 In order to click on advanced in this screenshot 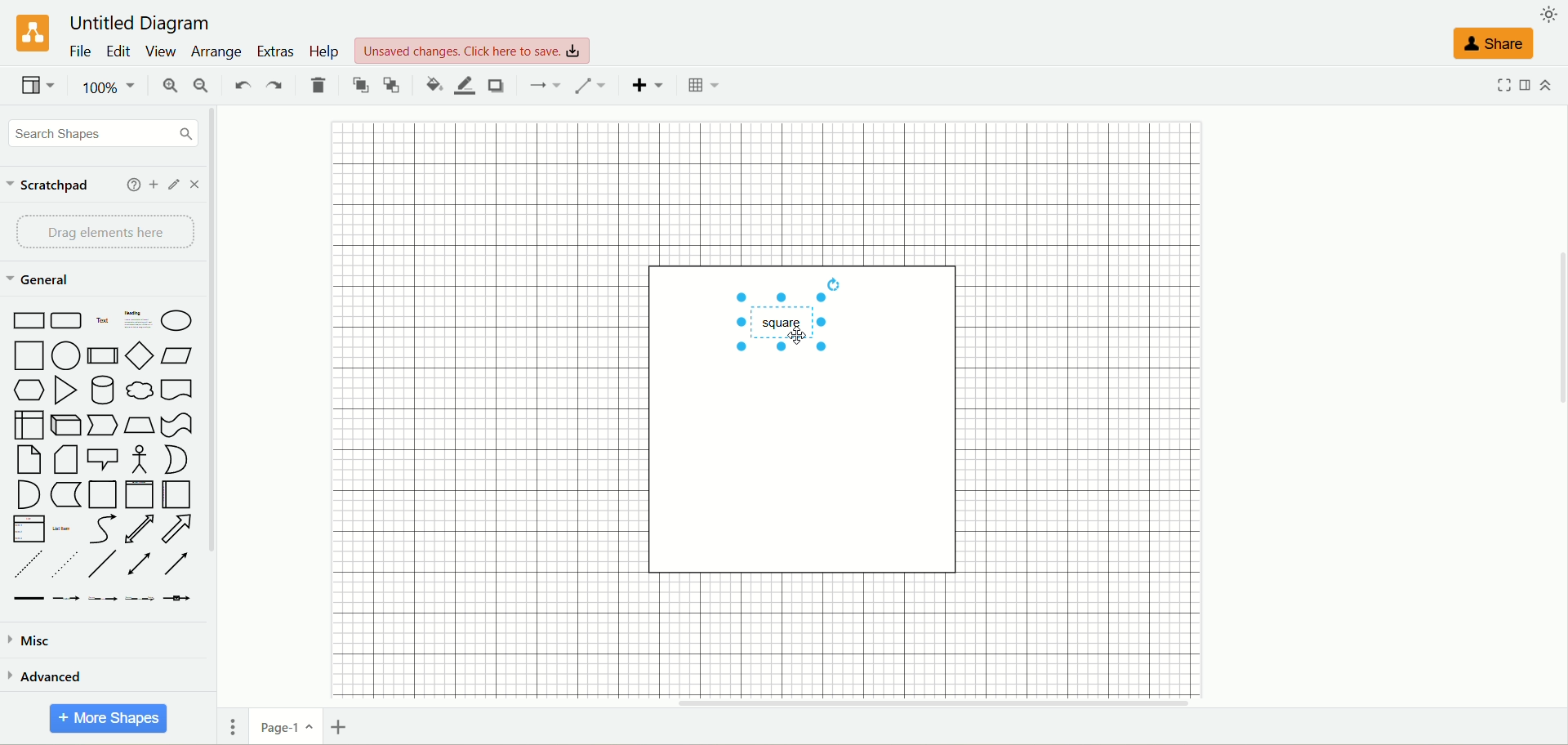, I will do `click(56, 675)`.